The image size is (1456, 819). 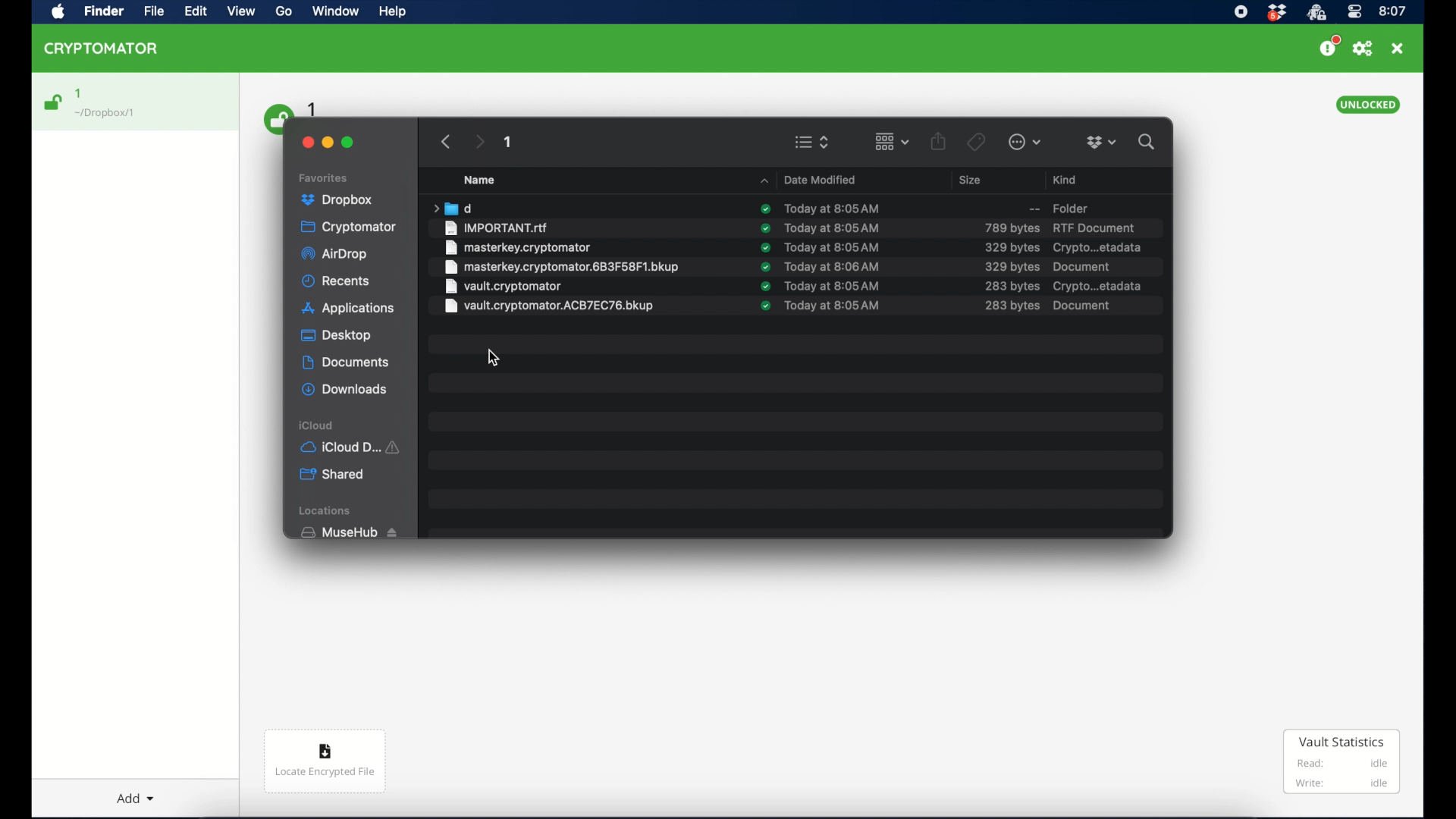 I want to click on sync, so click(x=765, y=209).